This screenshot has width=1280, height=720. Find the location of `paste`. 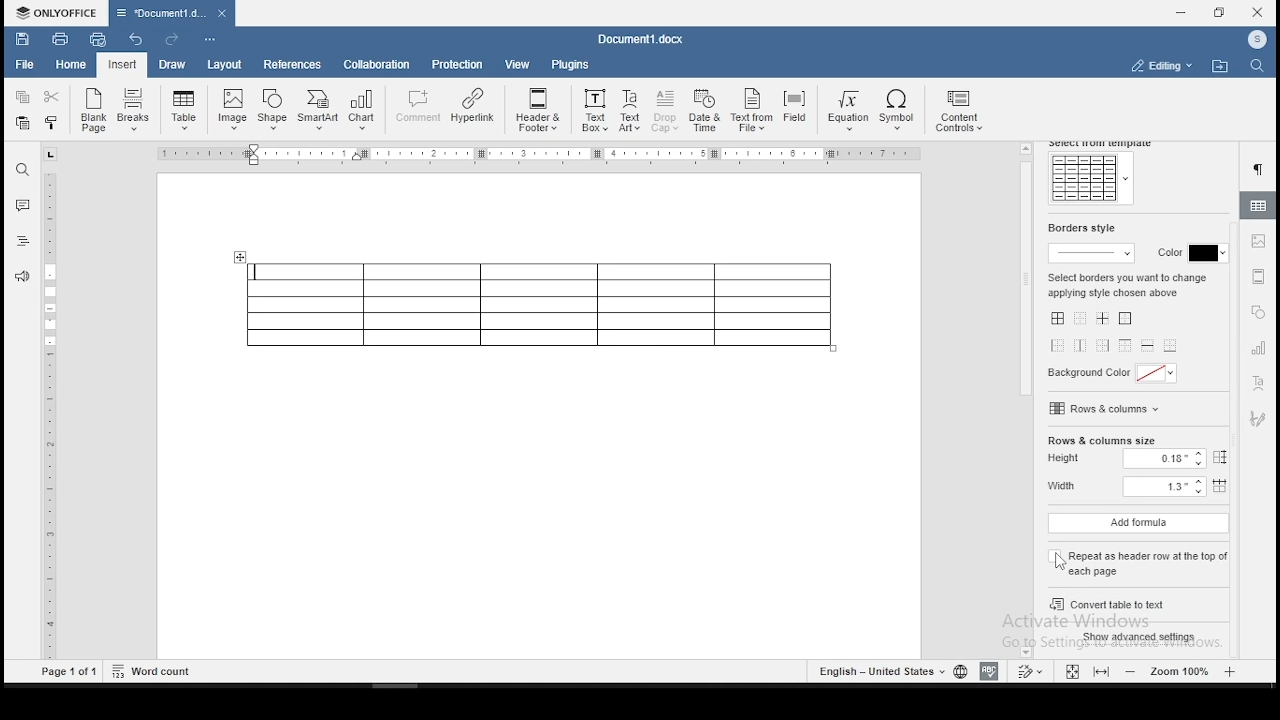

paste is located at coordinates (23, 126).